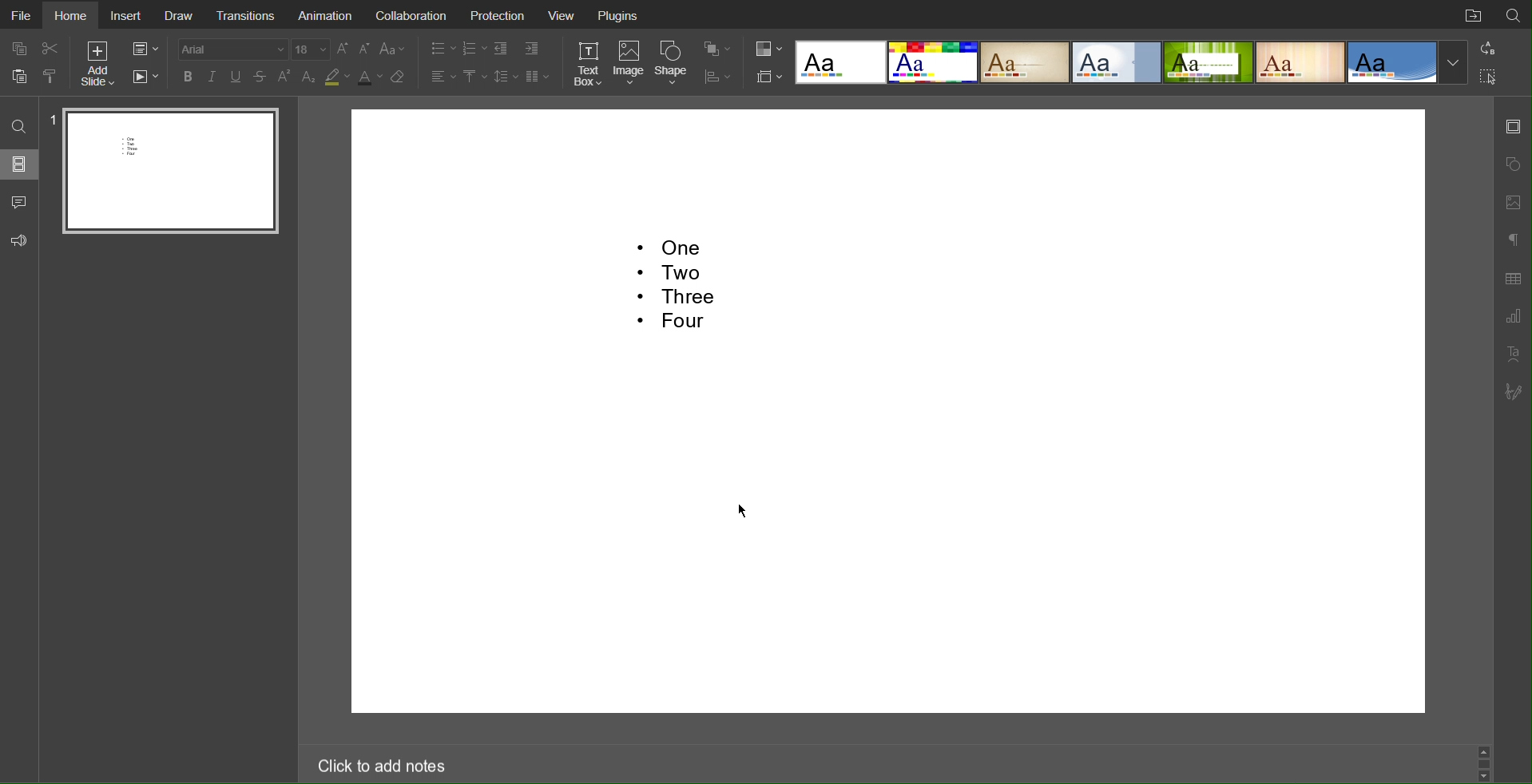  Describe the element at coordinates (213, 77) in the screenshot. I see `Italics` at that location.